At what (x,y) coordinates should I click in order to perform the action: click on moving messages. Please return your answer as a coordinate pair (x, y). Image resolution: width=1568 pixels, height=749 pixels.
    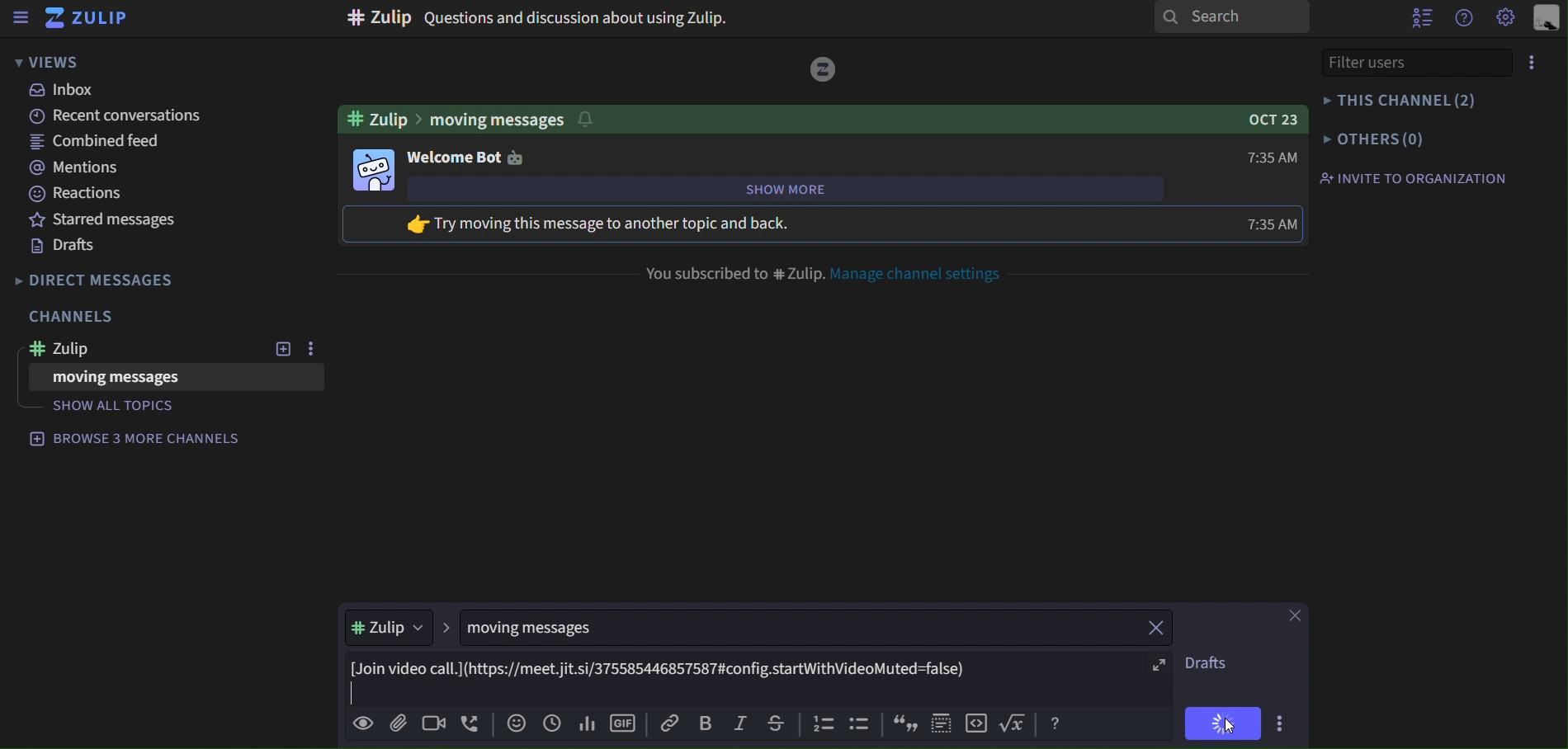
    Looking at the image, I should click on (556, 629).